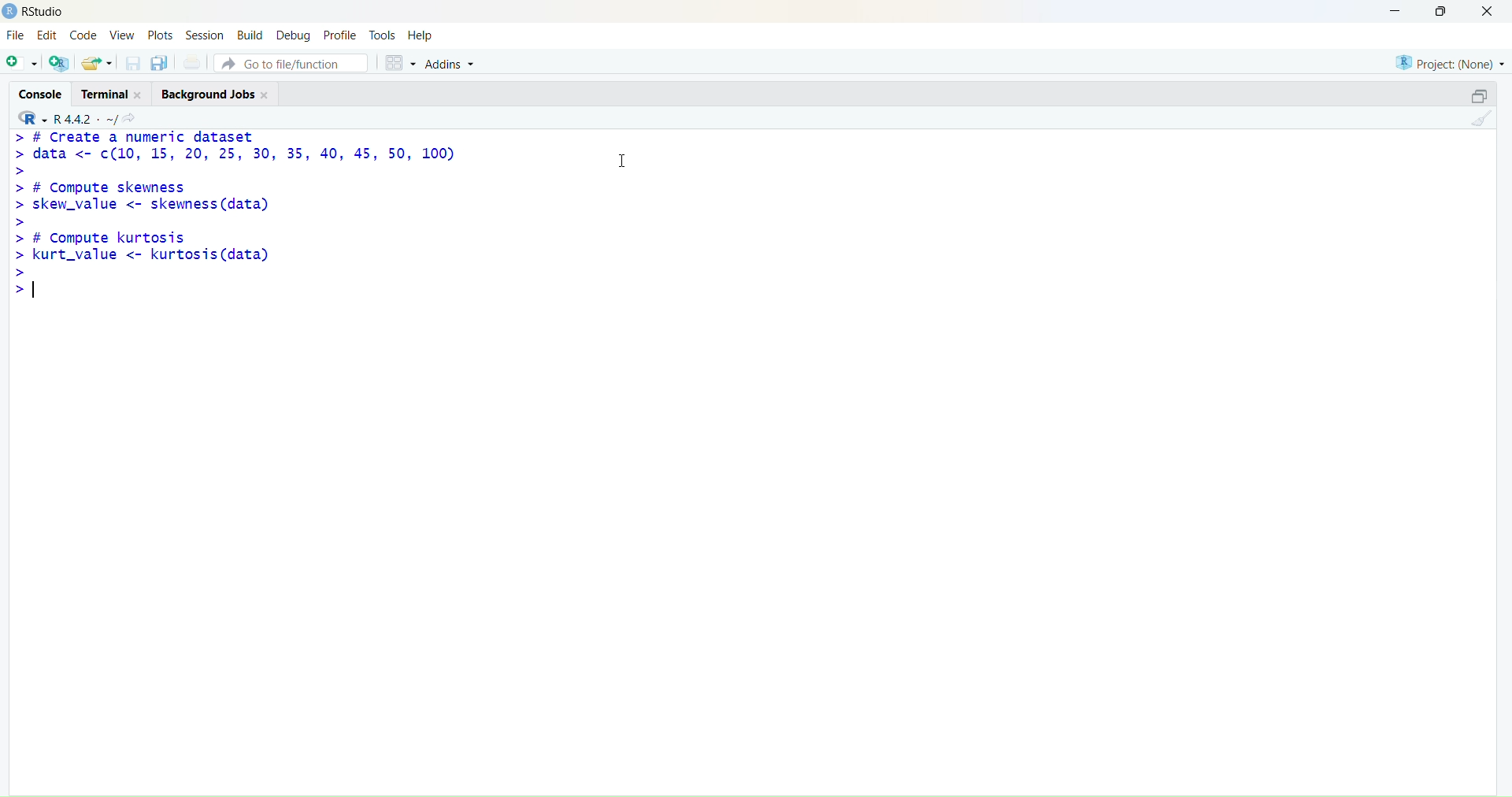 Image resolution: width=1512 pixels, height=797 pixels. Describe the element at coordinates (294, 34) in the screenshot. I see `Debug` at that location.